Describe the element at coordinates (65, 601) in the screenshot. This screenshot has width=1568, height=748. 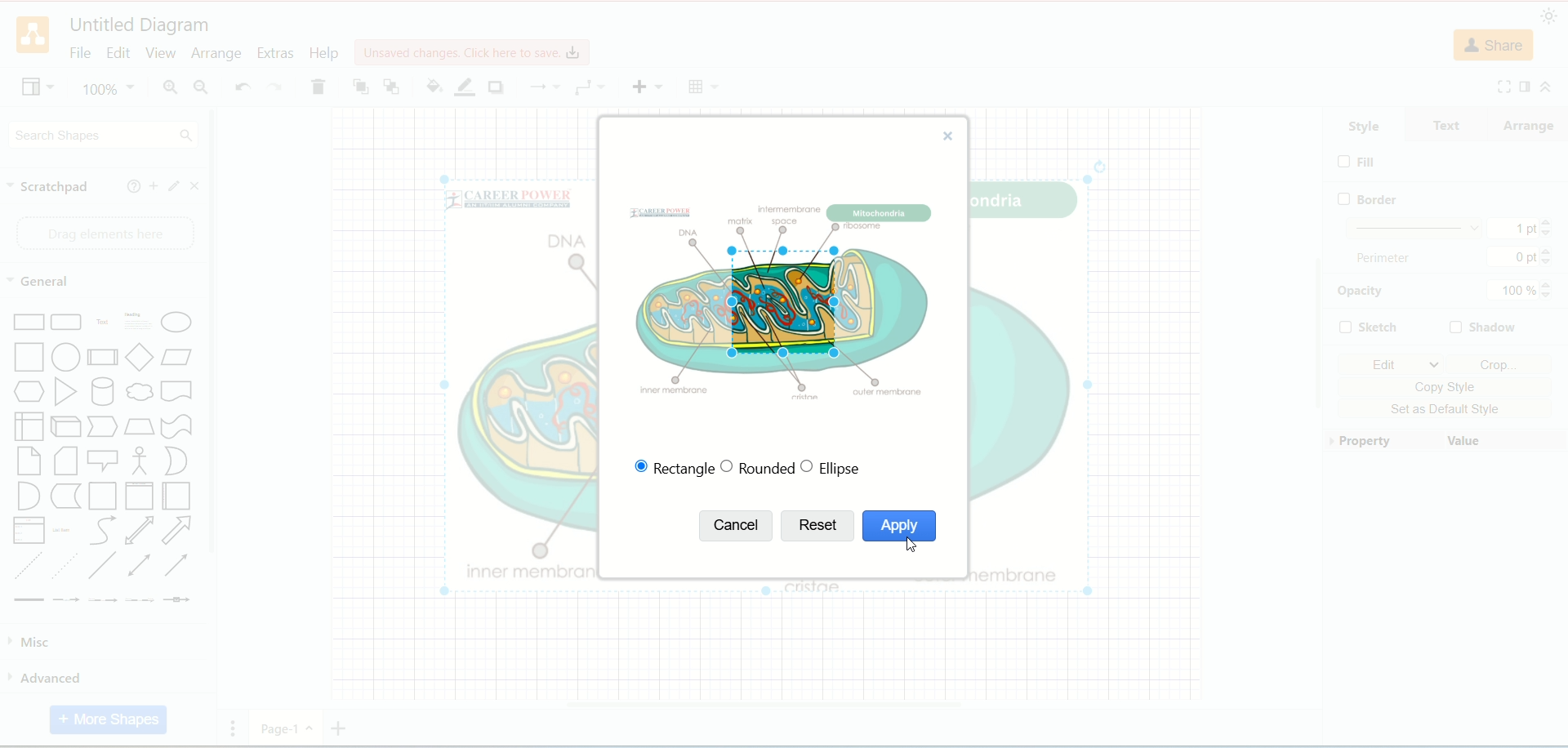
I see `Connector with Label` at that location.